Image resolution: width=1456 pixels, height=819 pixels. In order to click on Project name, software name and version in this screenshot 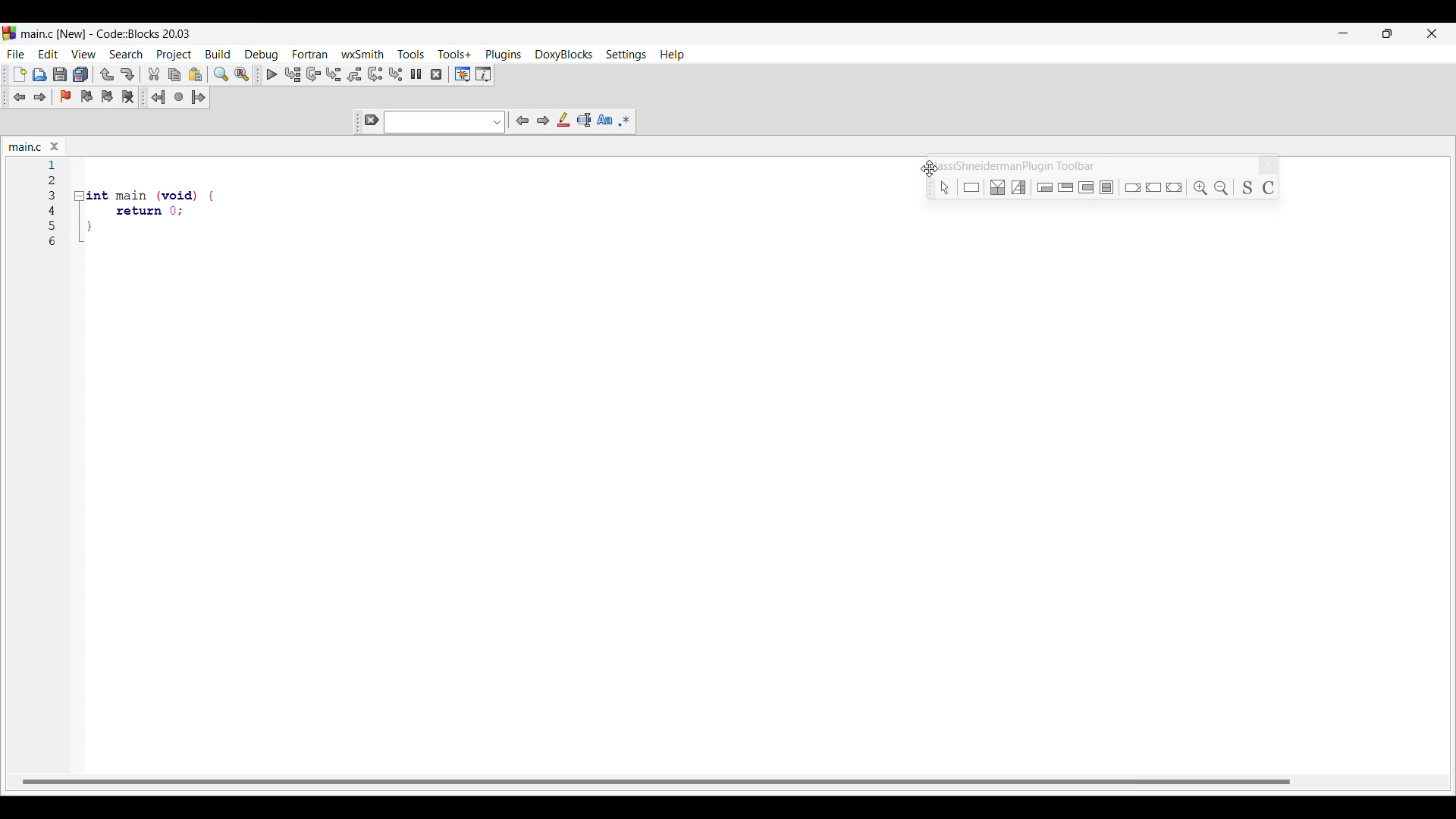, I will do `click(106, 33)`.